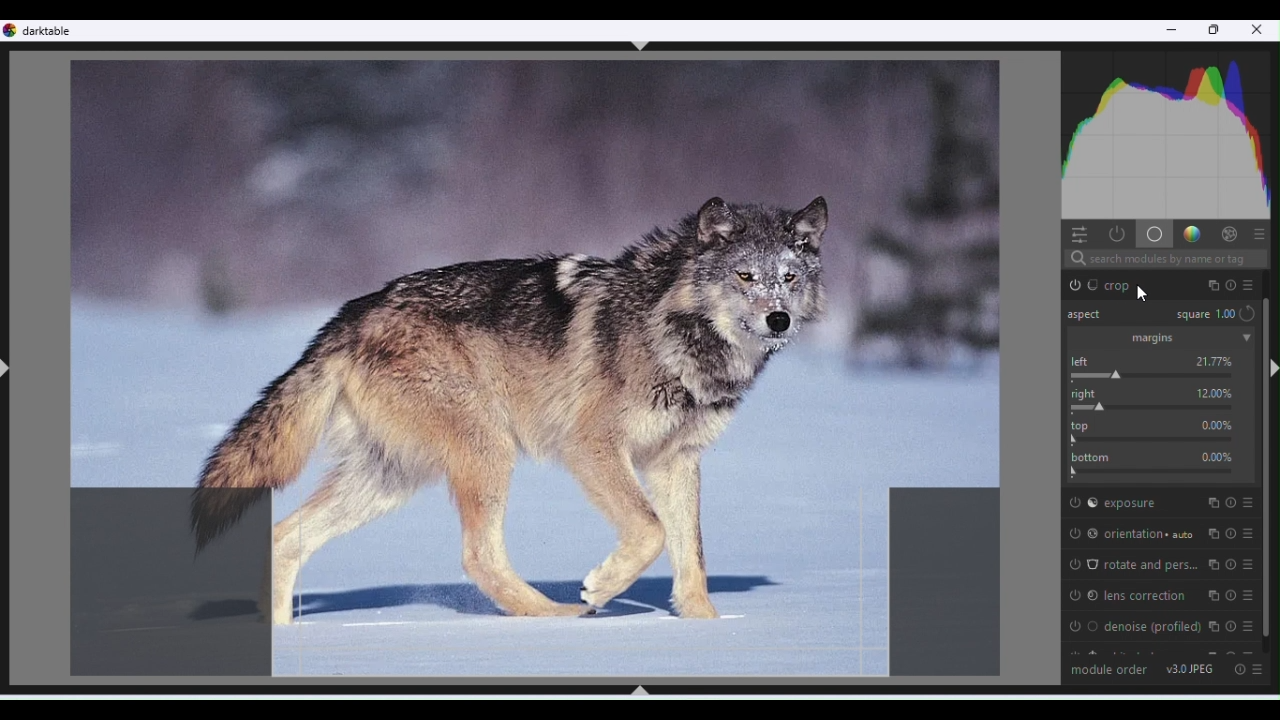 The image size is (1280, 720). Describe the element at coordinates (1158, 530) in the screenshot. I see `Orientation` at that location.